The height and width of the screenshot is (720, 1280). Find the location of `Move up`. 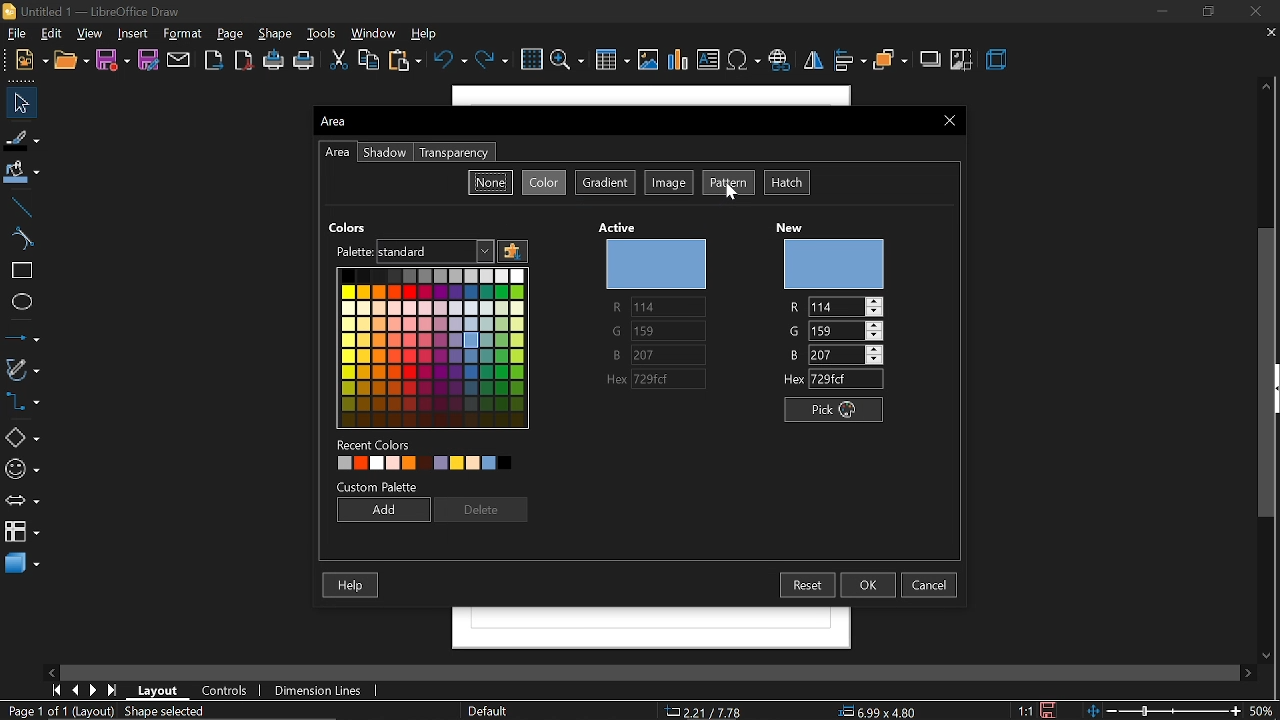

Move up is located at coordinates (1266, 86).